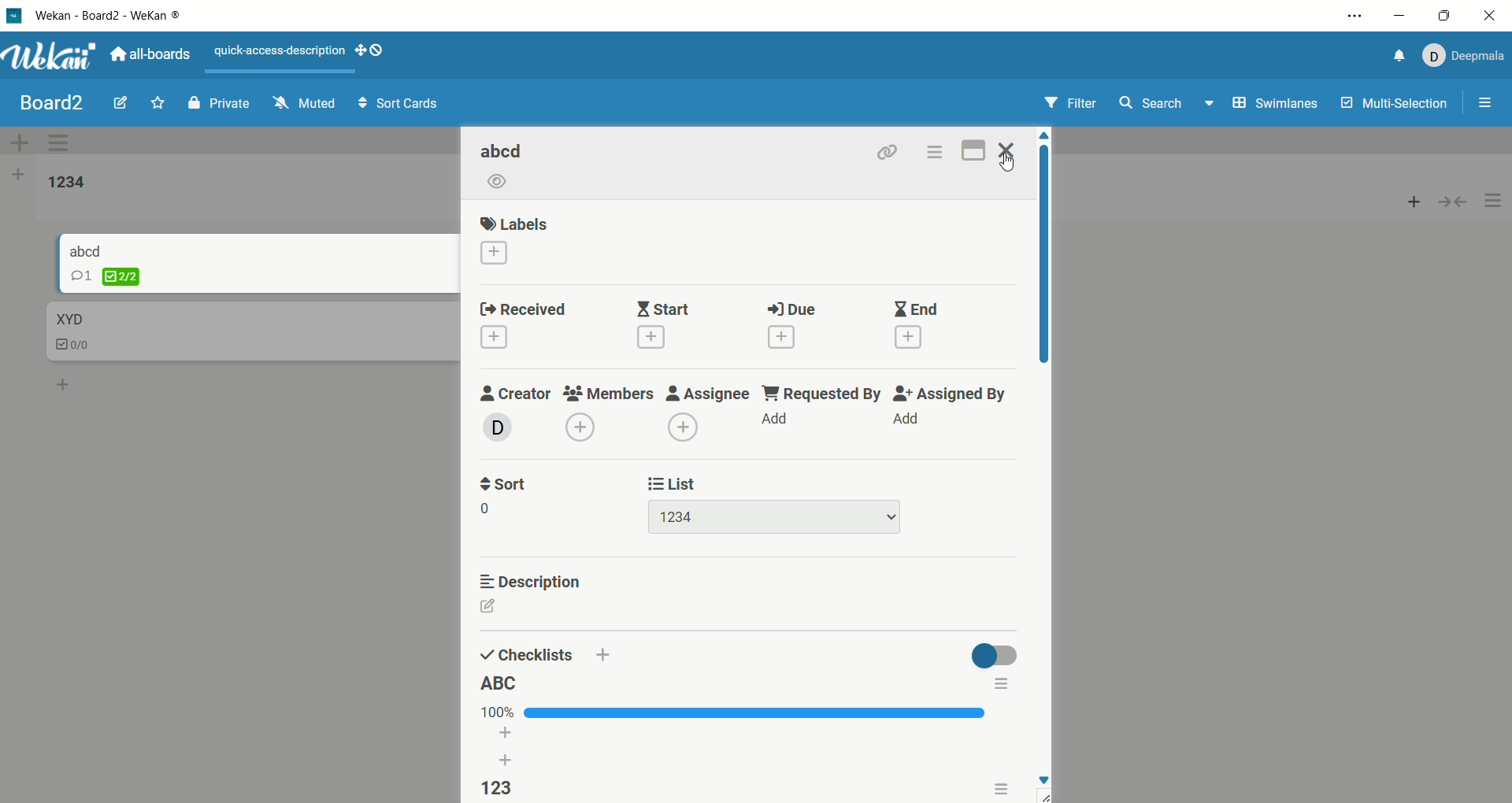 This screenshot has width=1512, height=803. What do you see at coordinates (21, 142) in the screenshot?
I see `add swimlane` at bounding box center [21, 142].